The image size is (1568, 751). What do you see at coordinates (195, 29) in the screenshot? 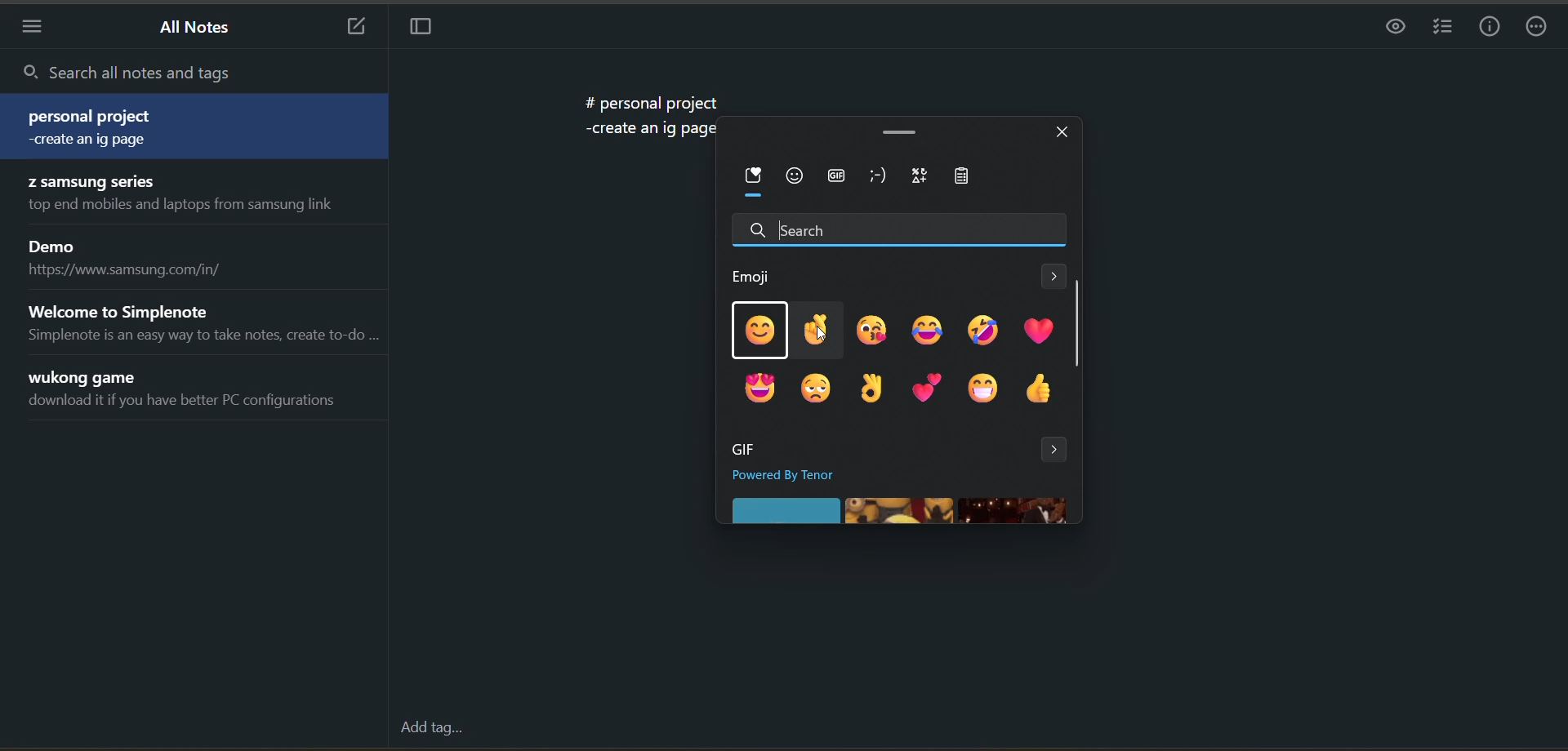
I see `all notes` at bounding box center [195, 29].